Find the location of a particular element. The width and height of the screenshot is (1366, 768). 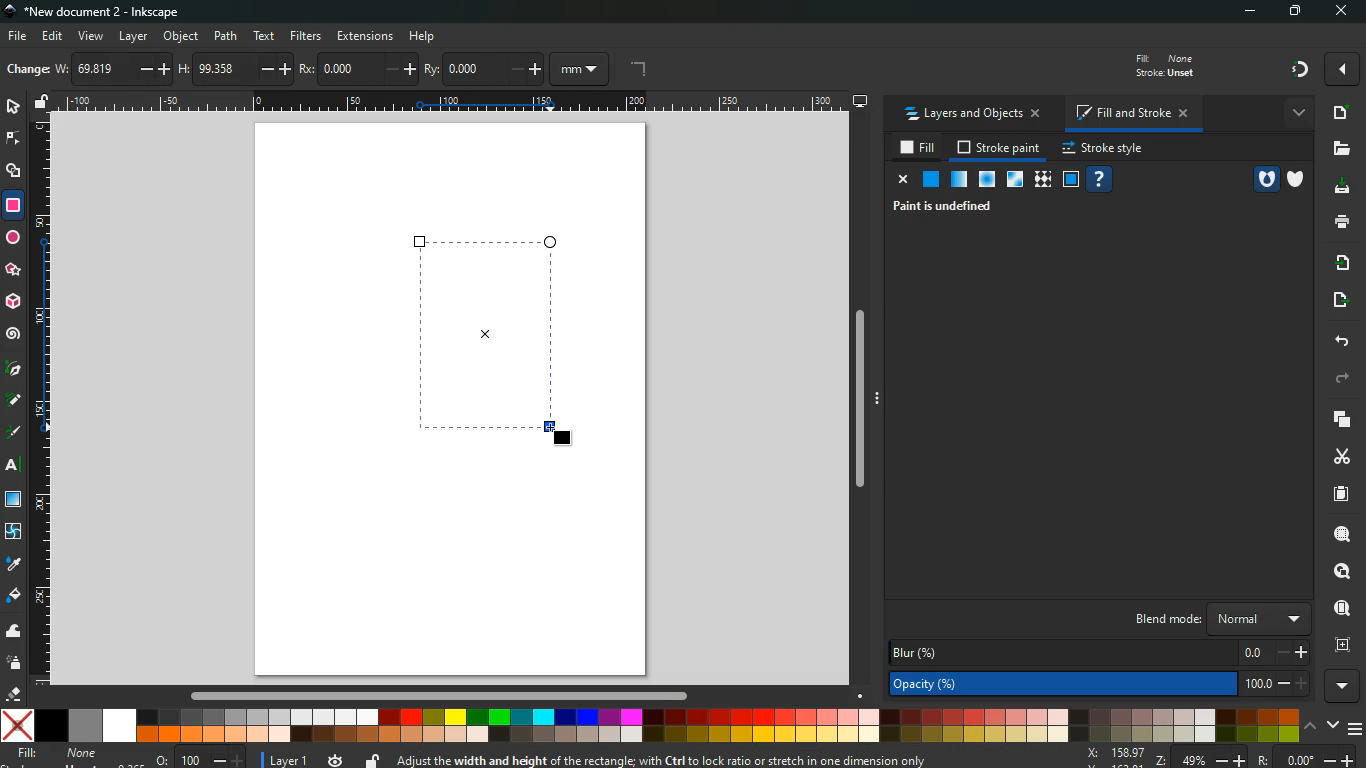

time is located at coordinates (333, 759).